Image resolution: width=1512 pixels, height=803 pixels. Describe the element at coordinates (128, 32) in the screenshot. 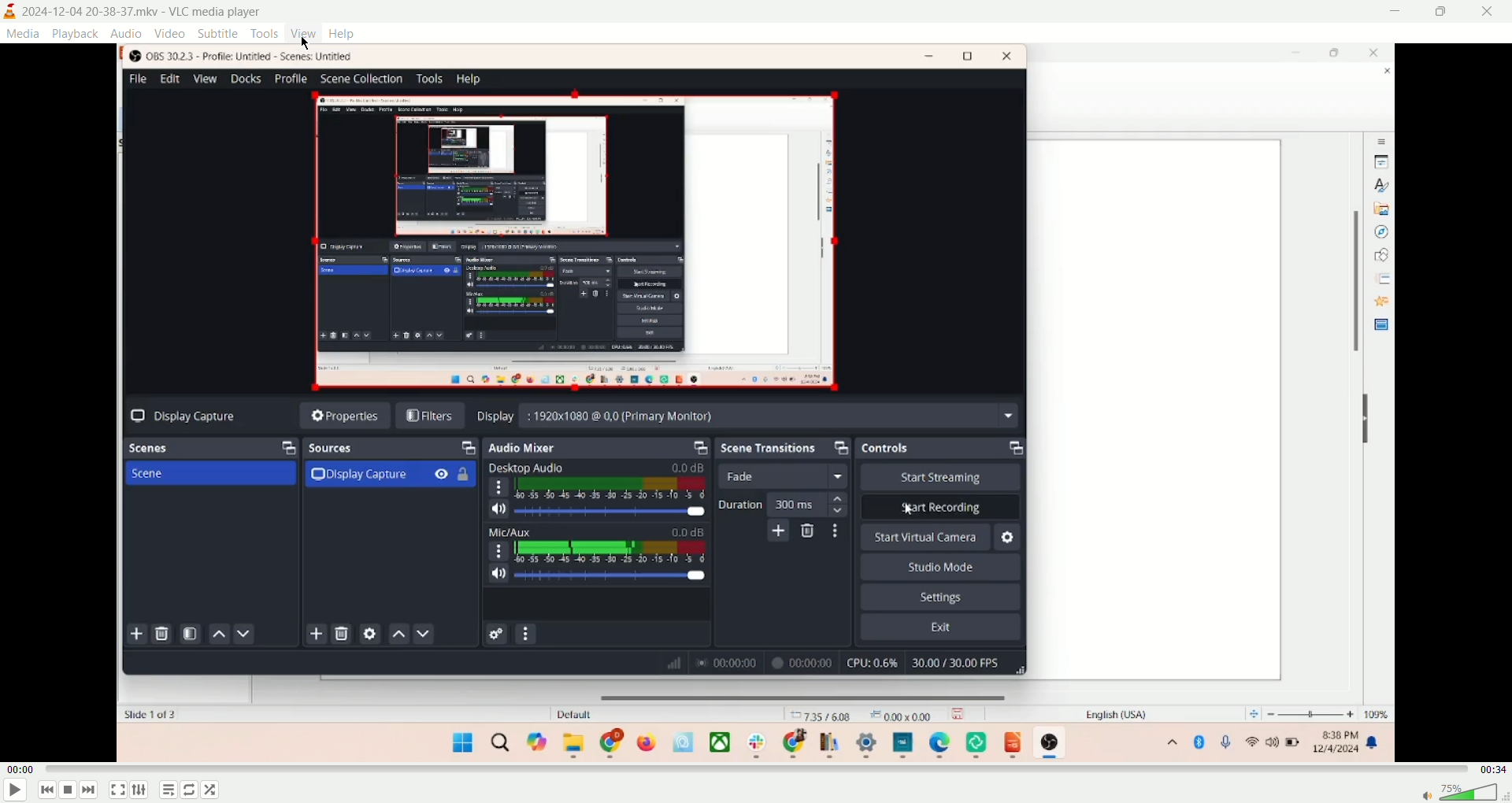

I see `audio` at that location.